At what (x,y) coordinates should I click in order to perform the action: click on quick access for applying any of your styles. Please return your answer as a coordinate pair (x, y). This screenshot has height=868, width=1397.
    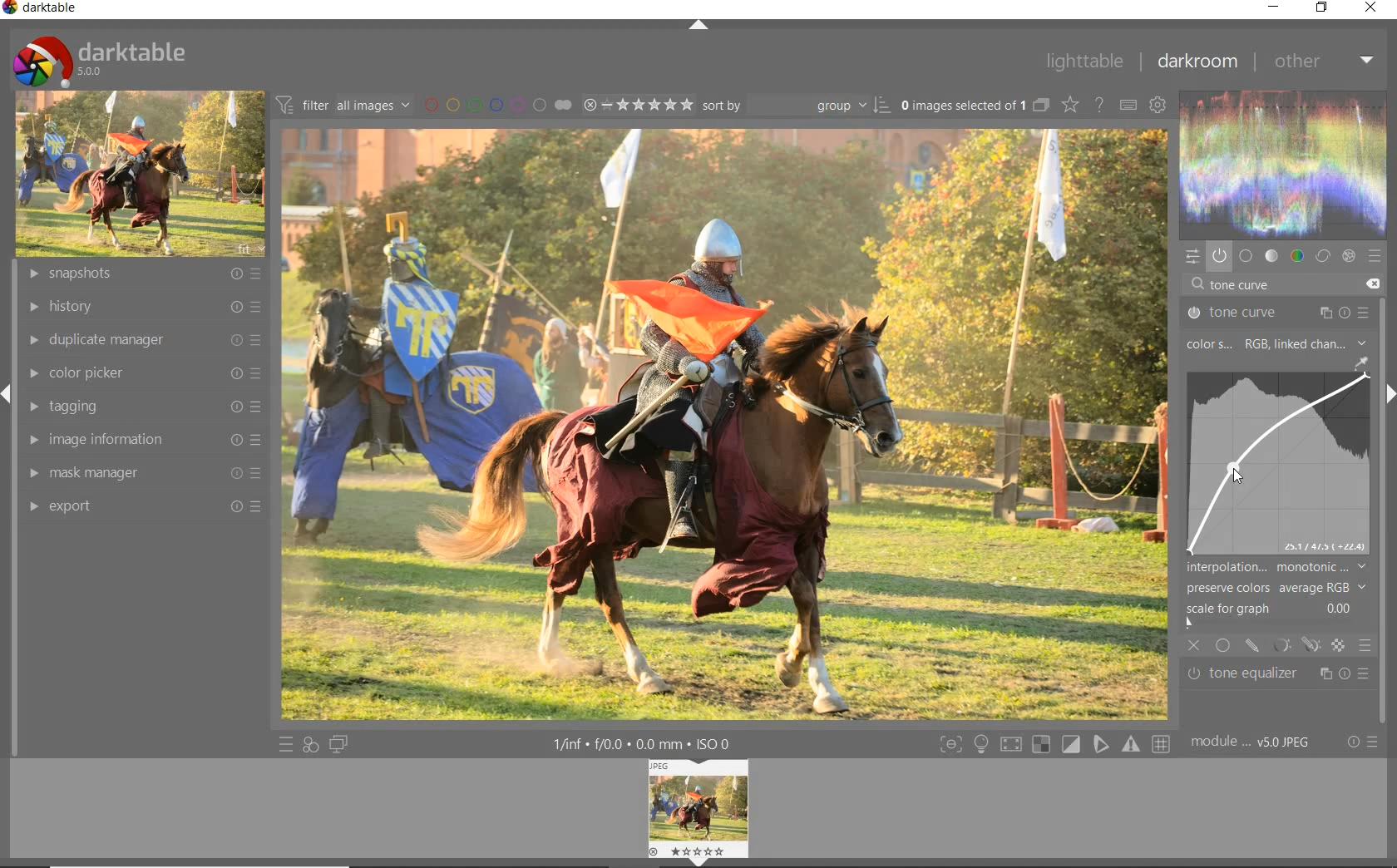
    Looking at the image, I should click on (309, 745).